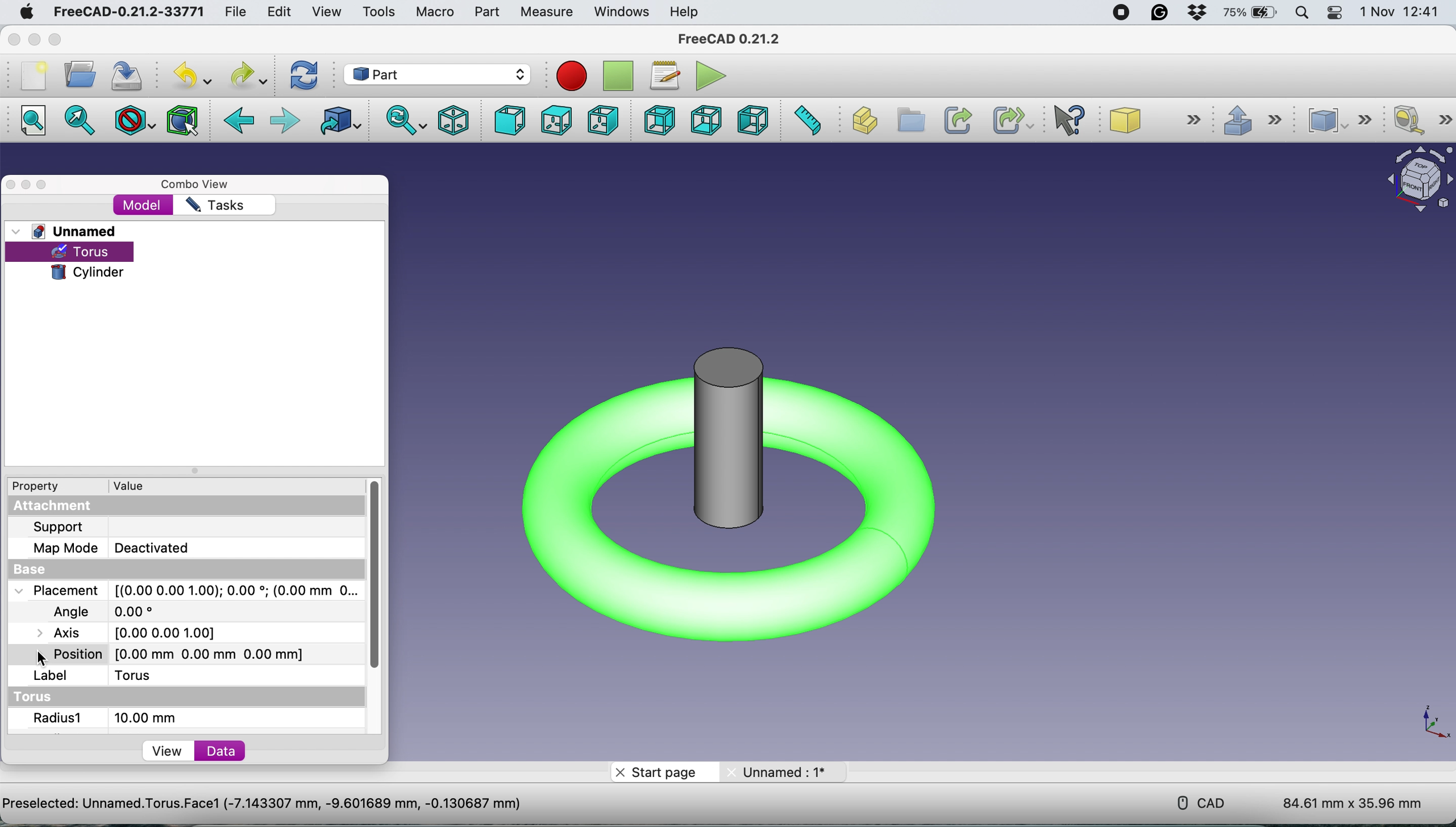  What do you see at coordinates (1260, 124) in the screenshot?
I see `extrude` at bounding box center [1260, 124].